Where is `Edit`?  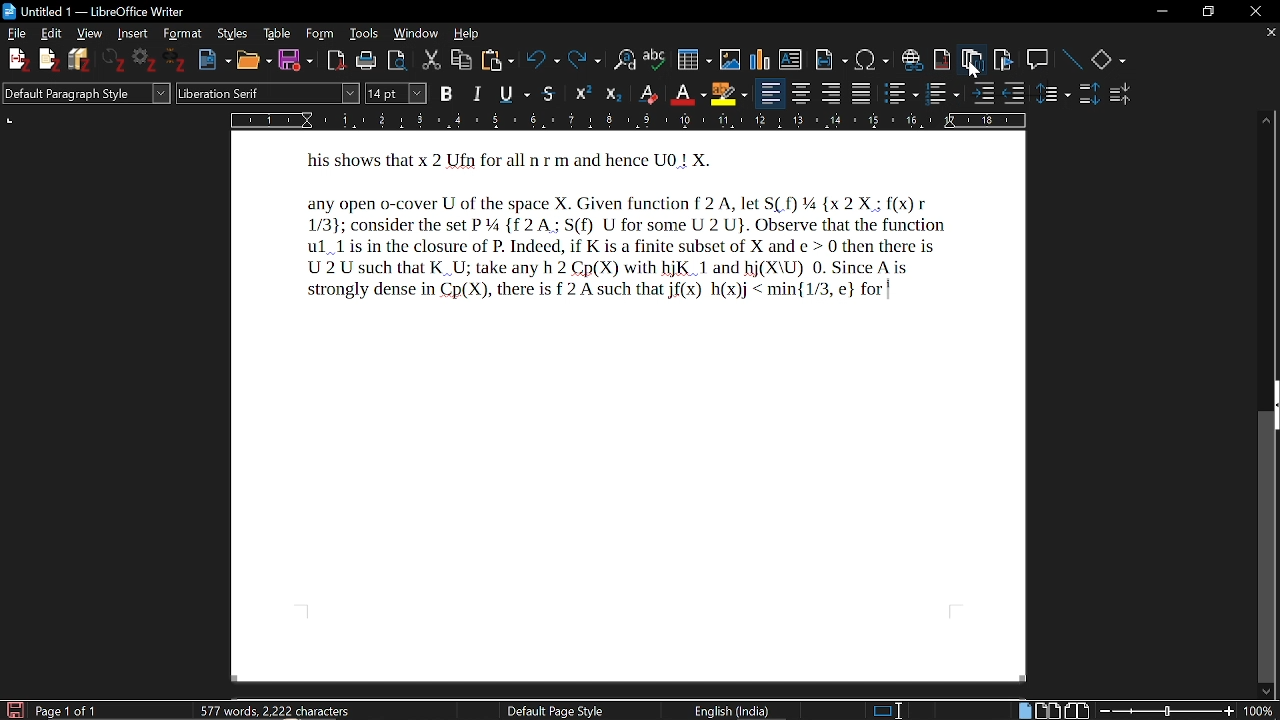
Edit is located at coordinates (53, 33).